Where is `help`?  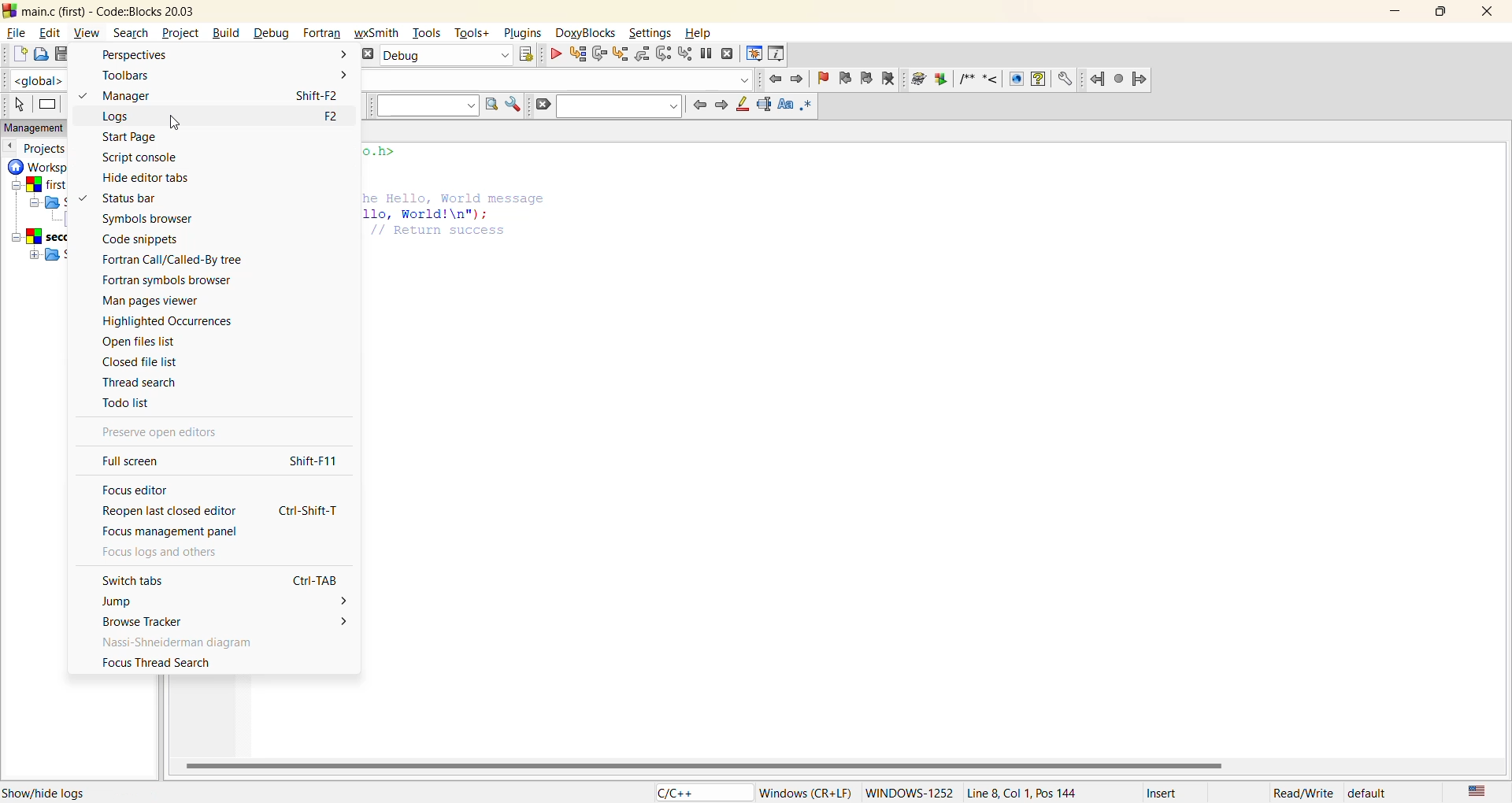
help is located at coordinates (699, 34).